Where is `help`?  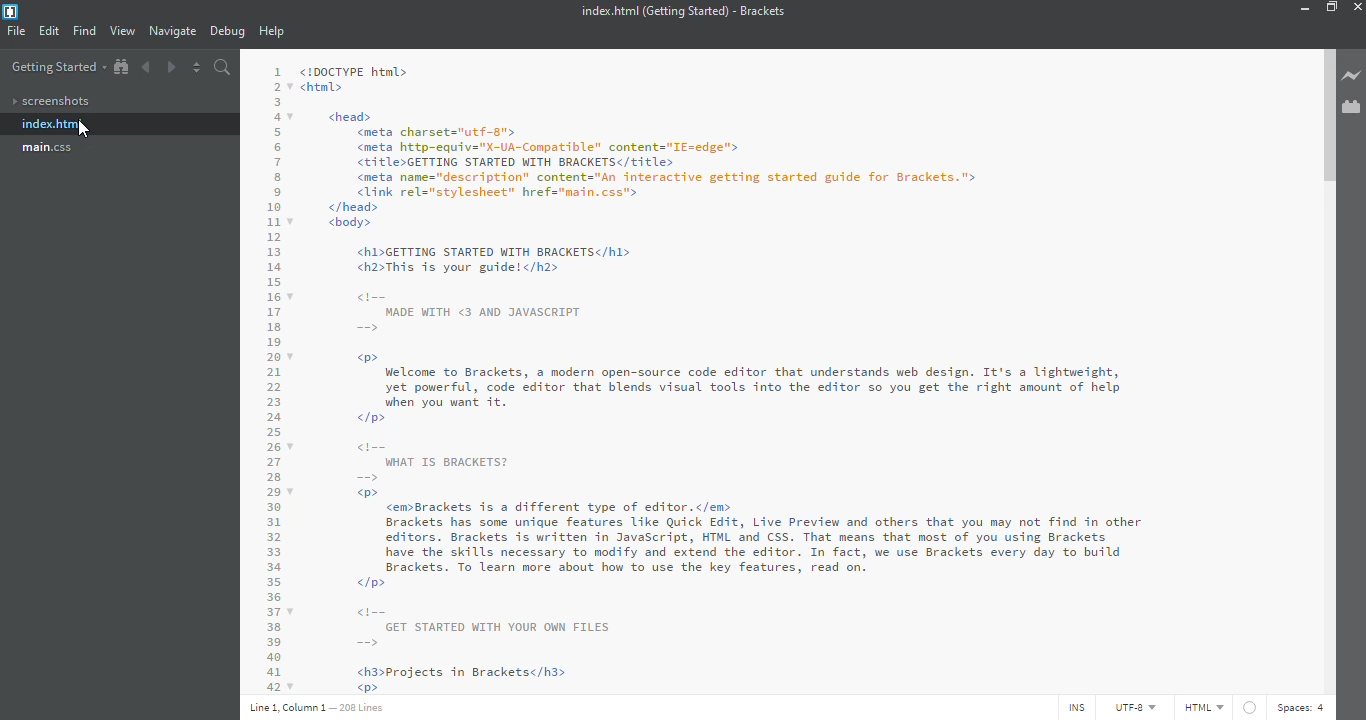
help is located at coordinates (274, 32).